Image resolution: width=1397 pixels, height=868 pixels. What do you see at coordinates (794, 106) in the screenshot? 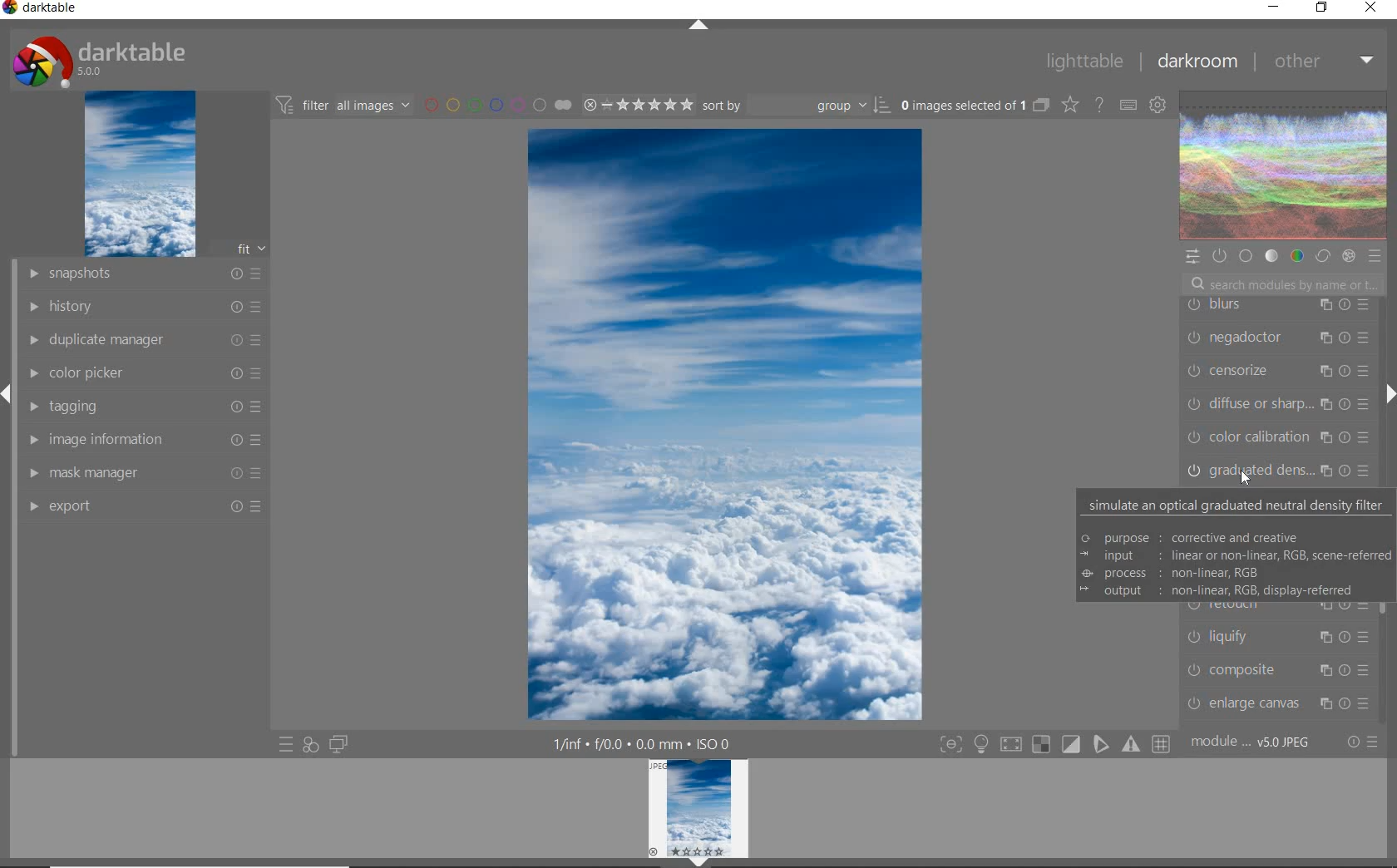
I see `sort by group` at bounding box center [794, 106].